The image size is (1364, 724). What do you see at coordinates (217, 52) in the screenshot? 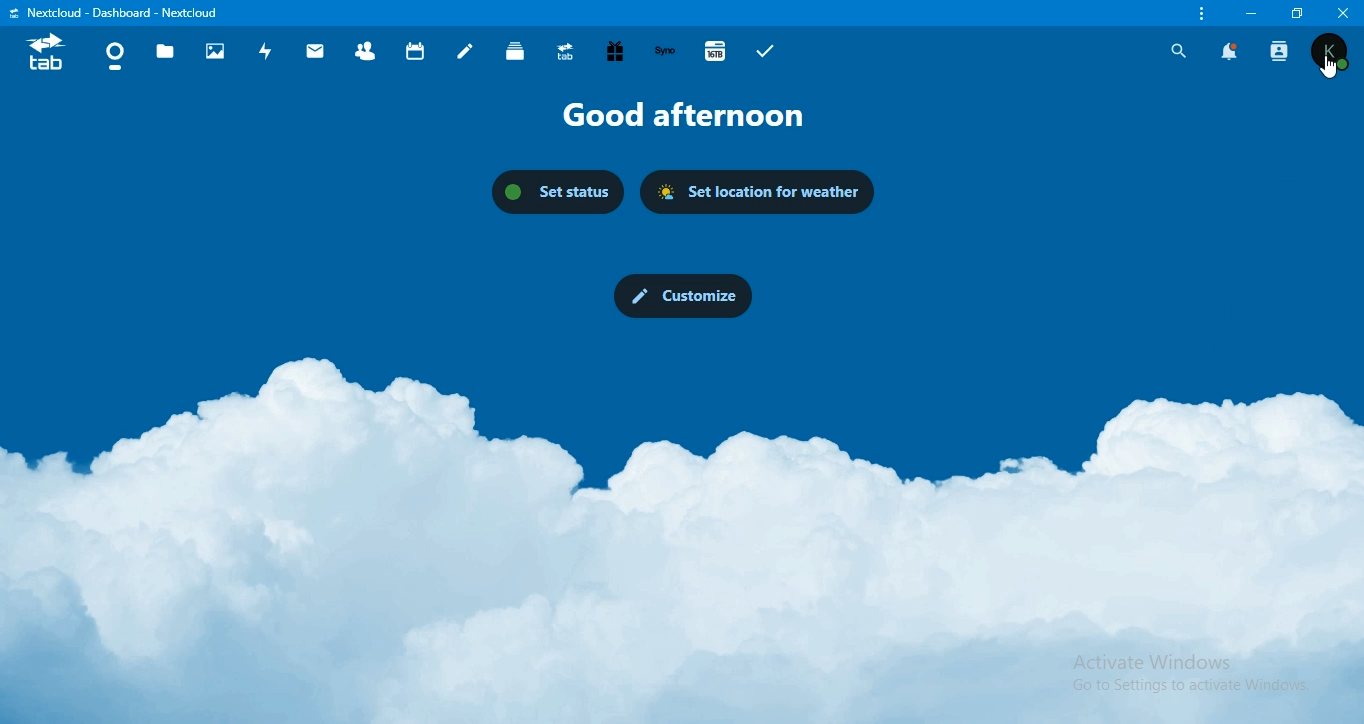
I see `photos` at bounding box center [217, 52].